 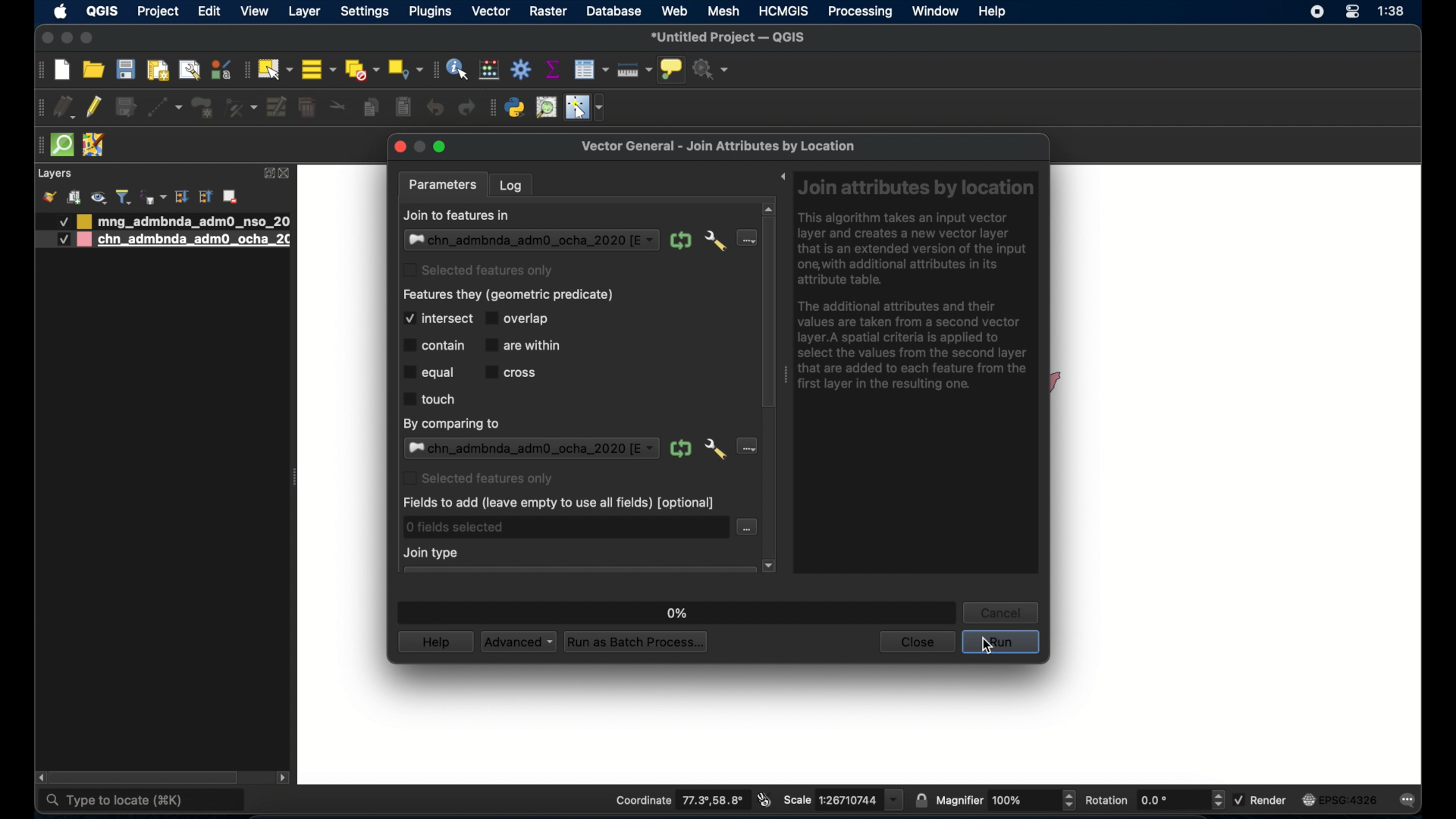 What do you see at coordinates (916, 642) in the screenshot?
I see `close` at bounding box center [916, 642].